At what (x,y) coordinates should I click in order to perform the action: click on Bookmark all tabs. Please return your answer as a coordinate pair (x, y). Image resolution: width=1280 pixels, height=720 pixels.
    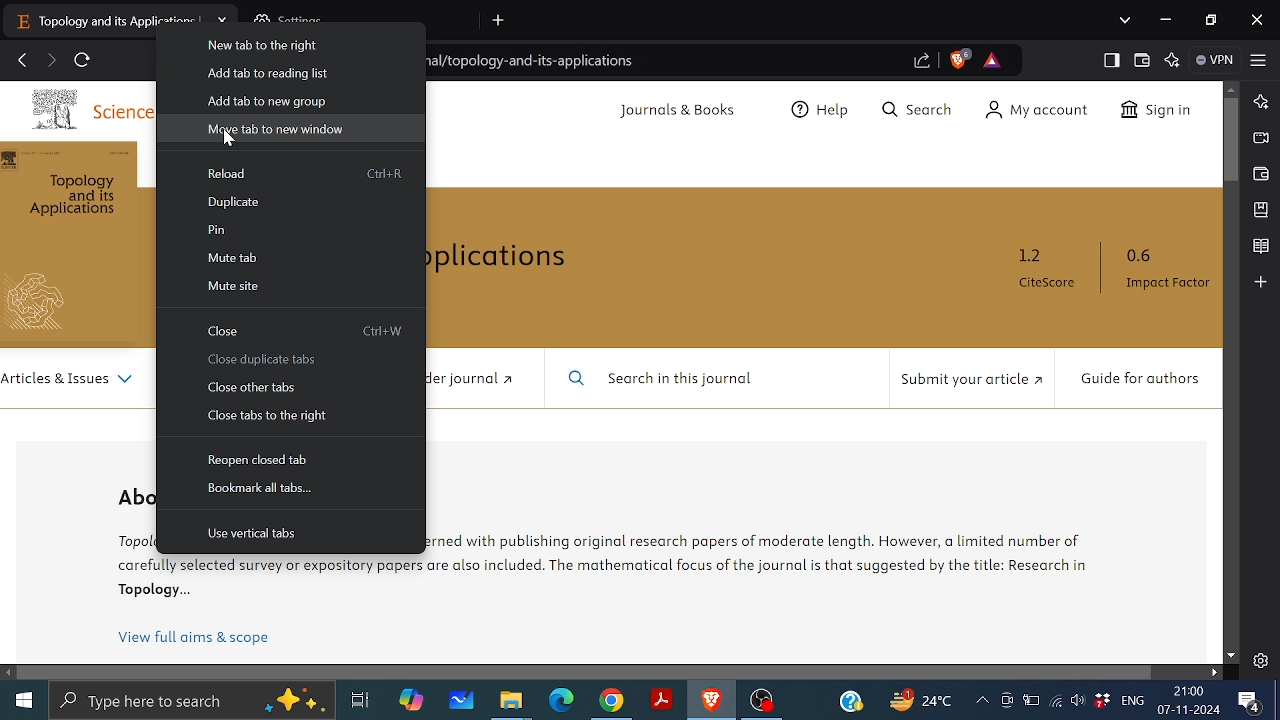
    Looking at the image, I should click on (262, 492).